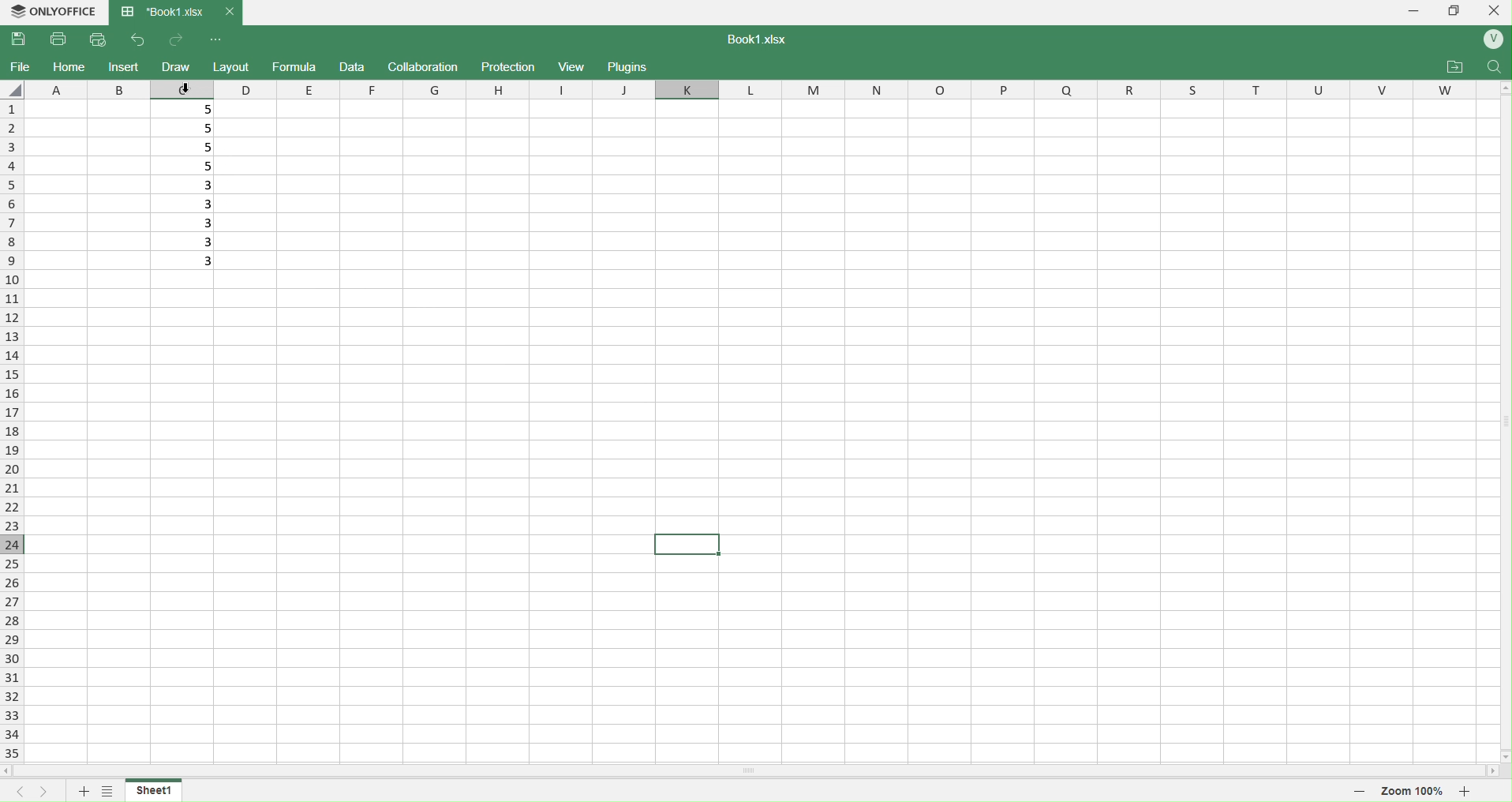 The height and width of the screenshot is (802, 1512). Describe the element at coordinates (688, 544) in the screenshot. I see `selected cell` at that location.